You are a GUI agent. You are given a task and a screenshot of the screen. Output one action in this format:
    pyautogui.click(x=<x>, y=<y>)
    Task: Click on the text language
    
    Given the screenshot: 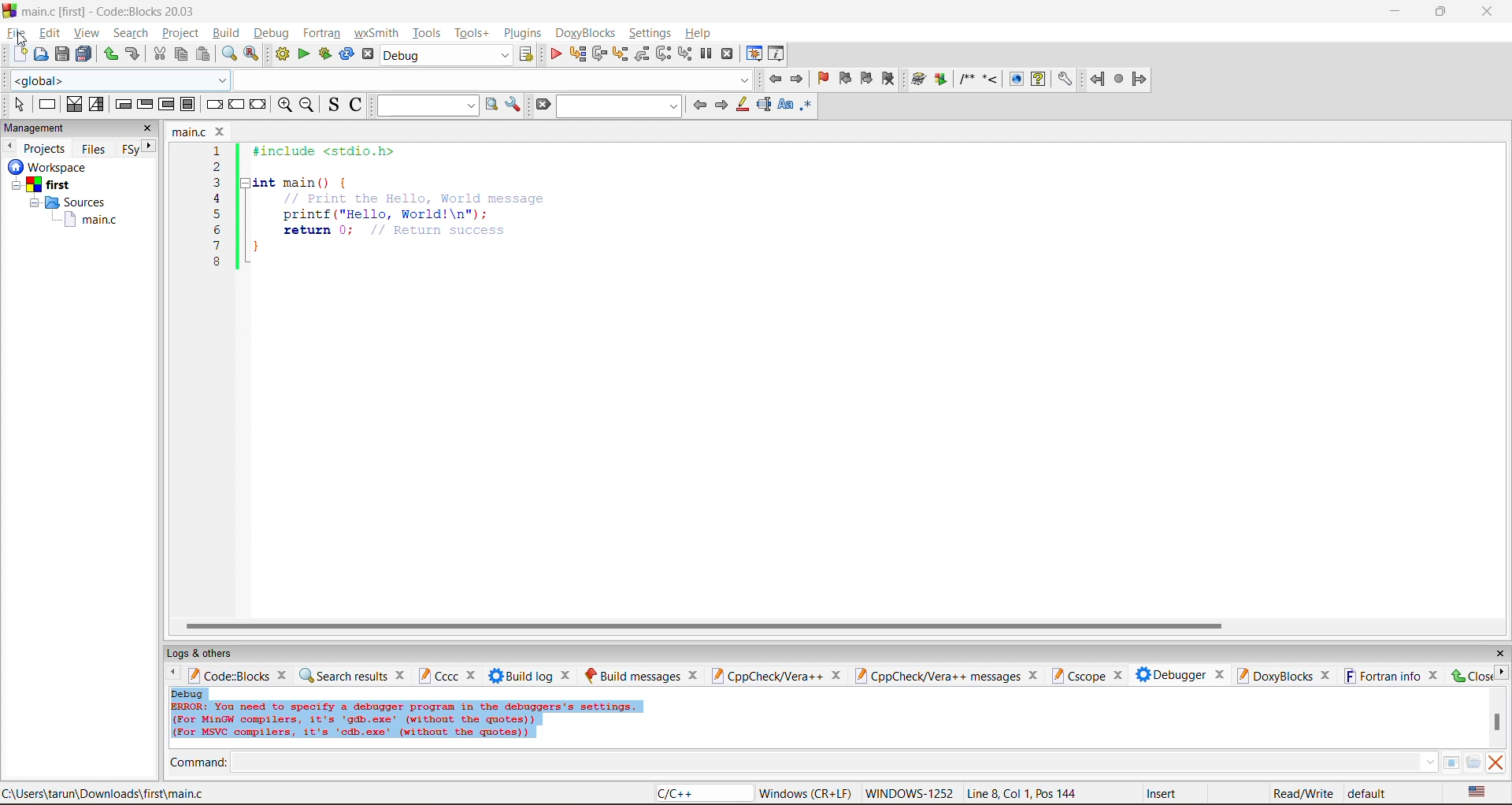 What is the action you would take?
    pyautogui.click(x=1478, y=792)
    